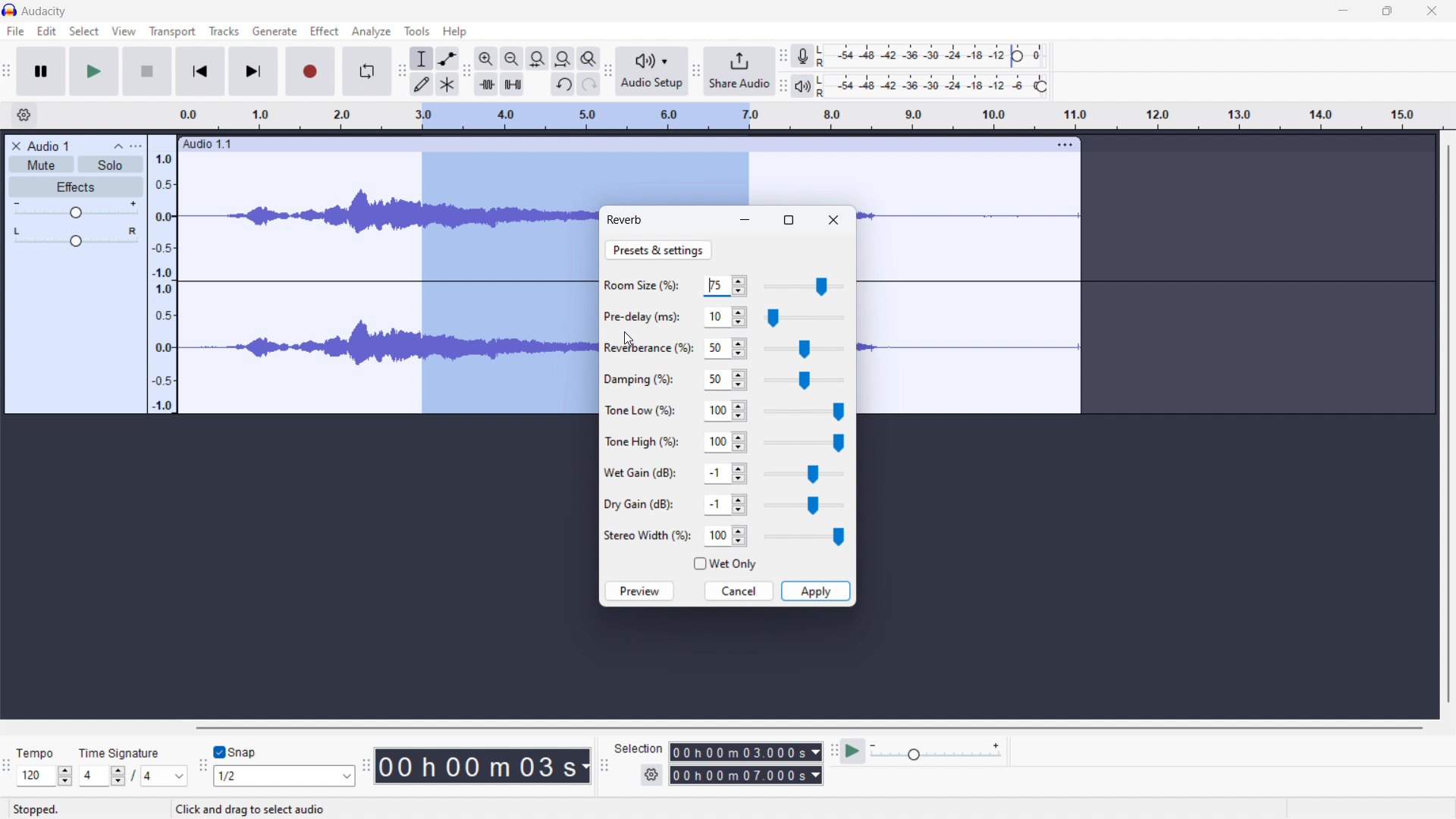 The height and width of the screenshot is (819, 1456). Describe the element at coordinates (502, 281) in the screenshot. I see `selected audio section of the track` at that location.